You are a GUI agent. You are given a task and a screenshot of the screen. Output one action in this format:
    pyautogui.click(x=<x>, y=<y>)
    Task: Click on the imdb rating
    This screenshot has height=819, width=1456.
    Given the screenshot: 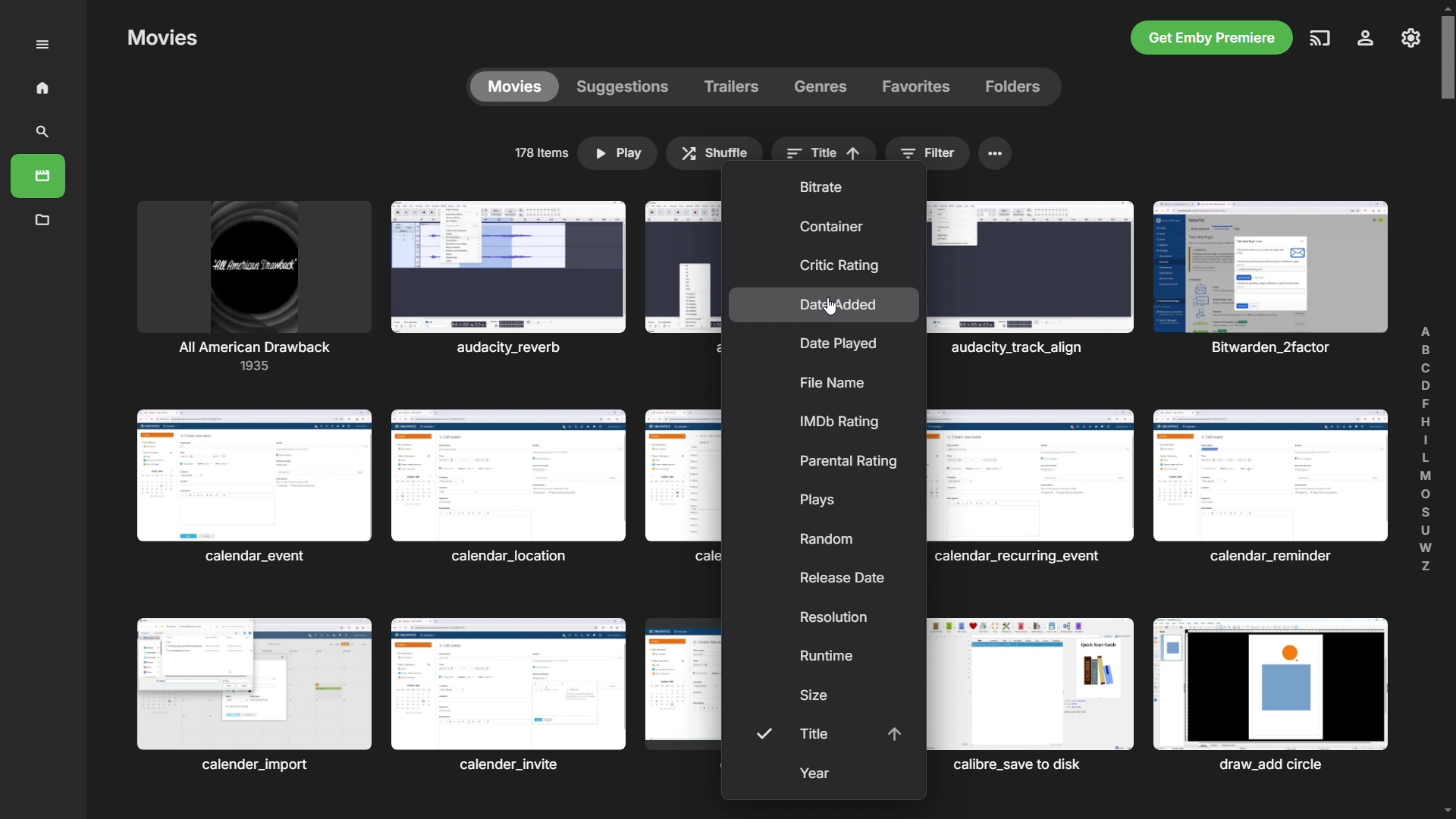 What is the action you would take?
    pyautogui.click(x=822, y=420)
    